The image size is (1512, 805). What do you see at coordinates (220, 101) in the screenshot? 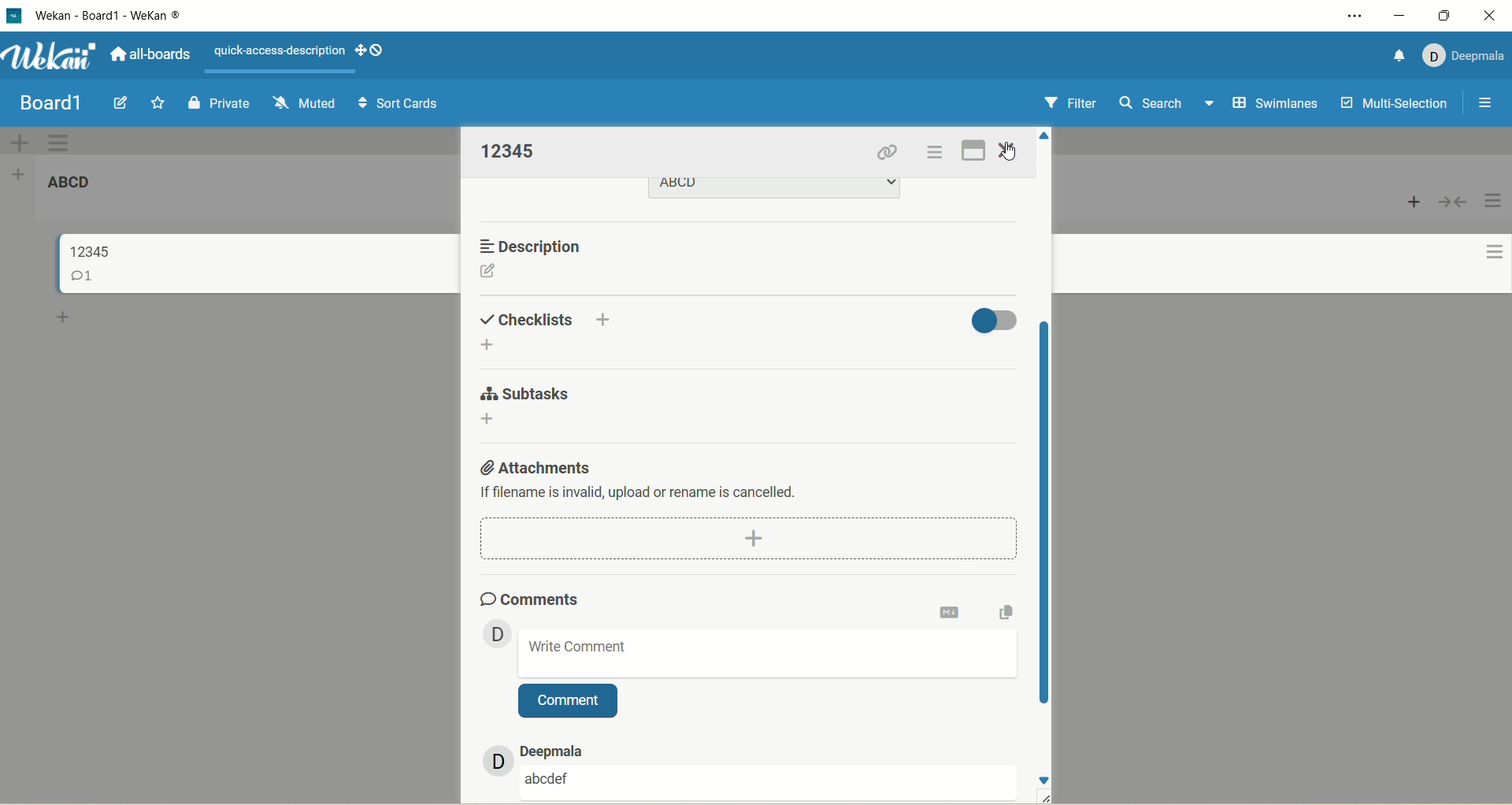
I see `private` at bounding box center [220, 101].